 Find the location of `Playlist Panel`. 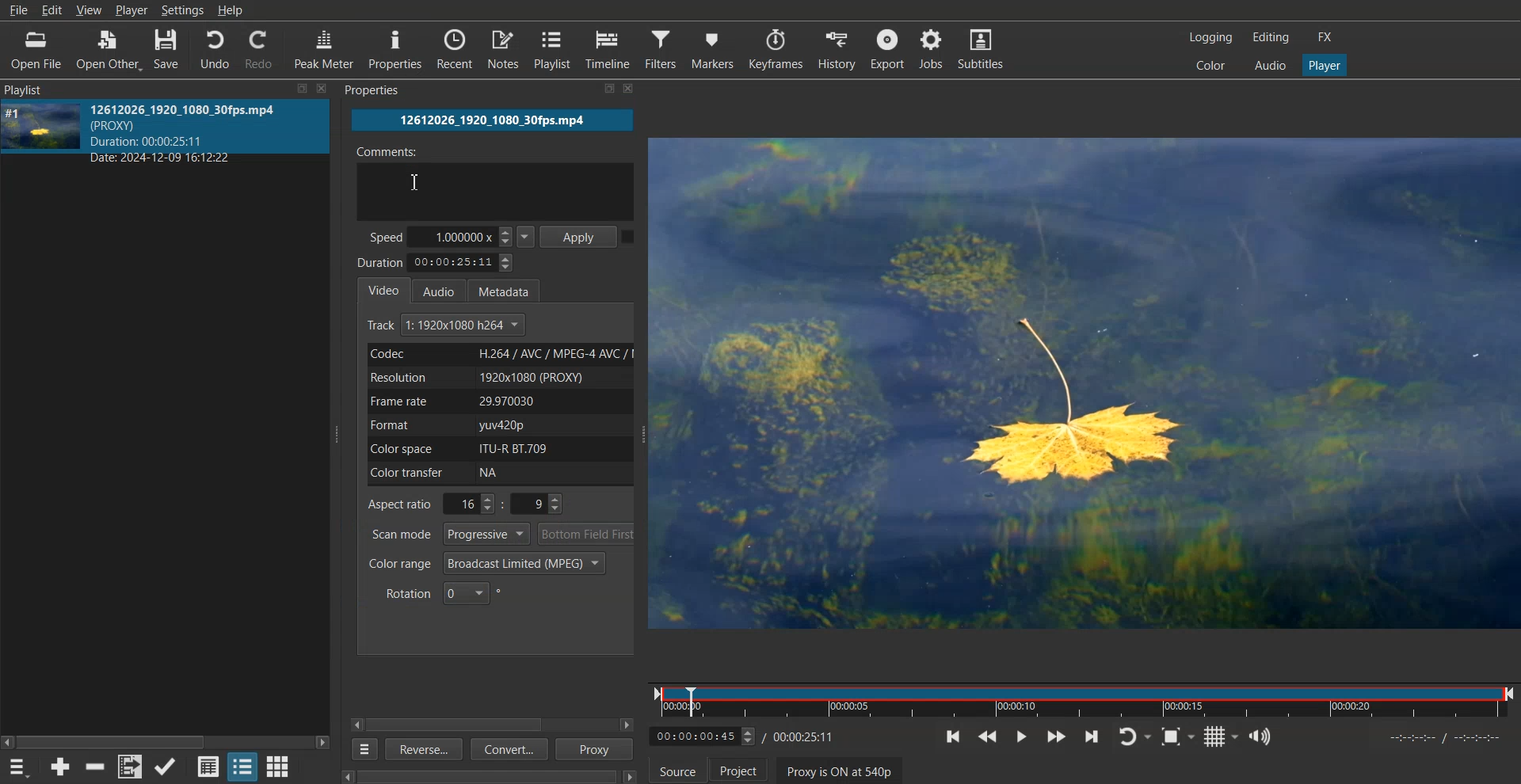

Playlist Panel is located at coordinates (29, 89).